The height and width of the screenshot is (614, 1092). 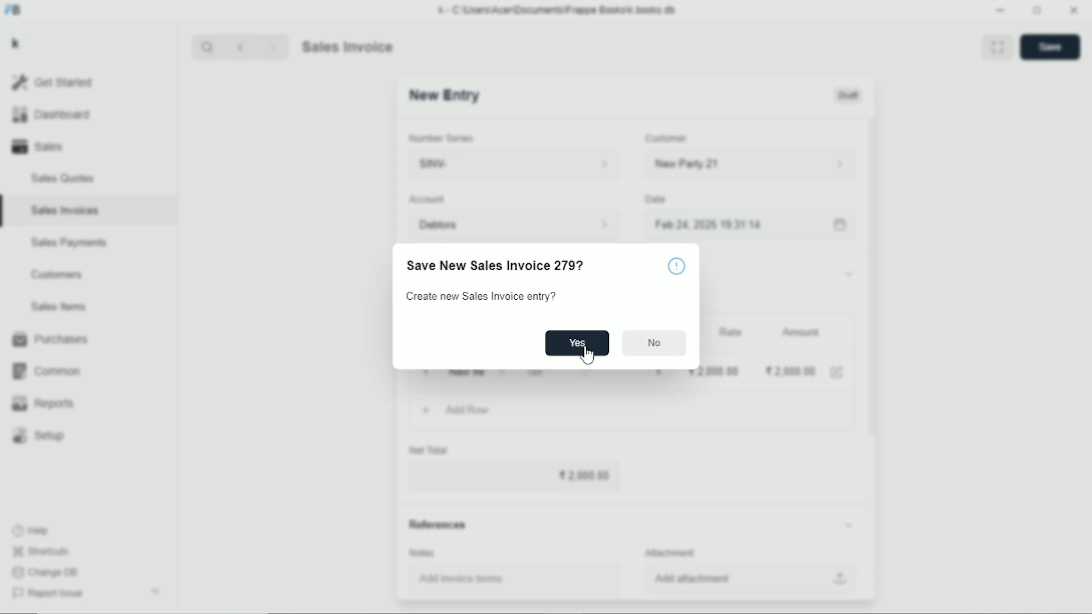 I want to click on Sales payments, so click(x=72, y=243).